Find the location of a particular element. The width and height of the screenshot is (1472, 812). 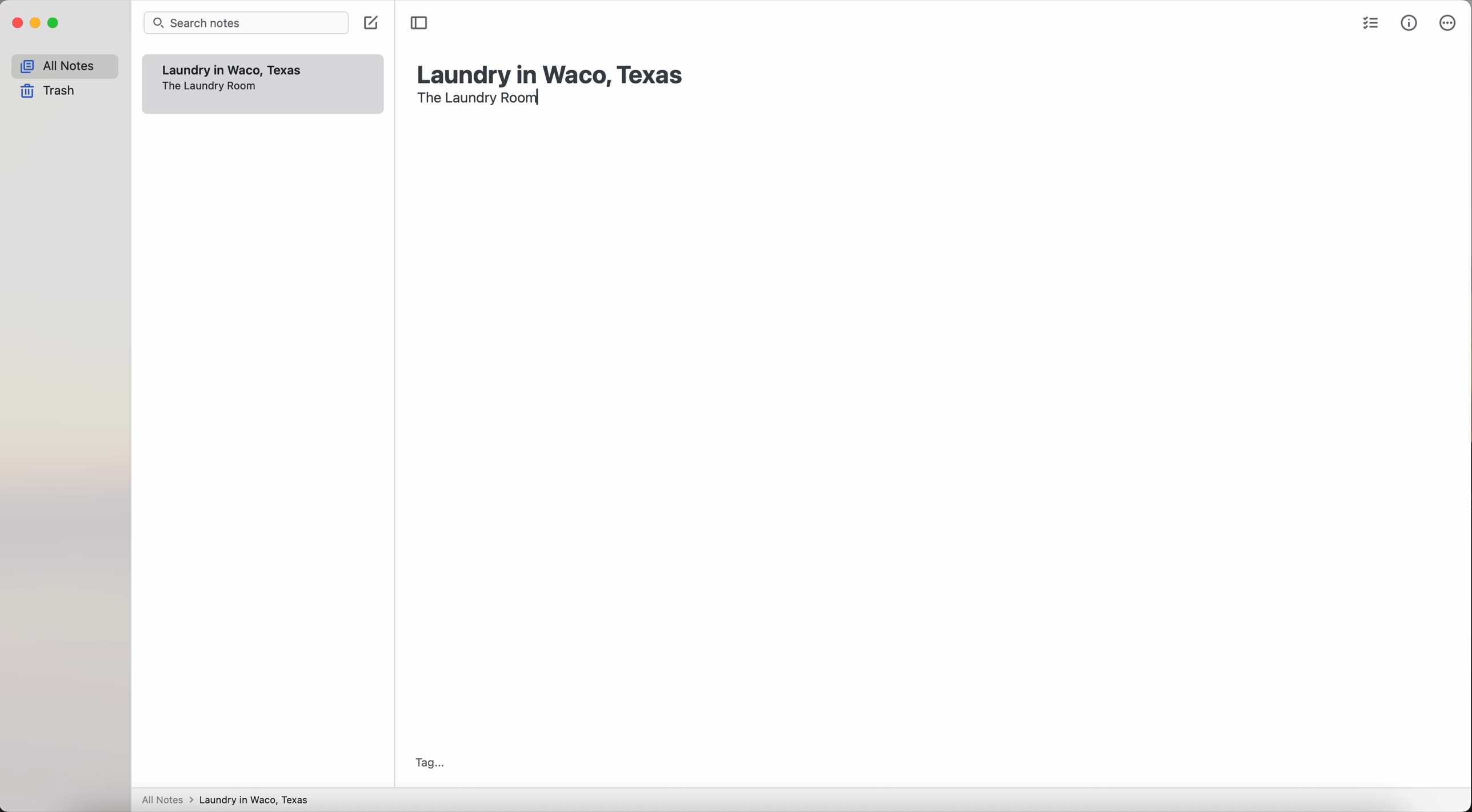

minimize app is located at coordinates (36, 23).